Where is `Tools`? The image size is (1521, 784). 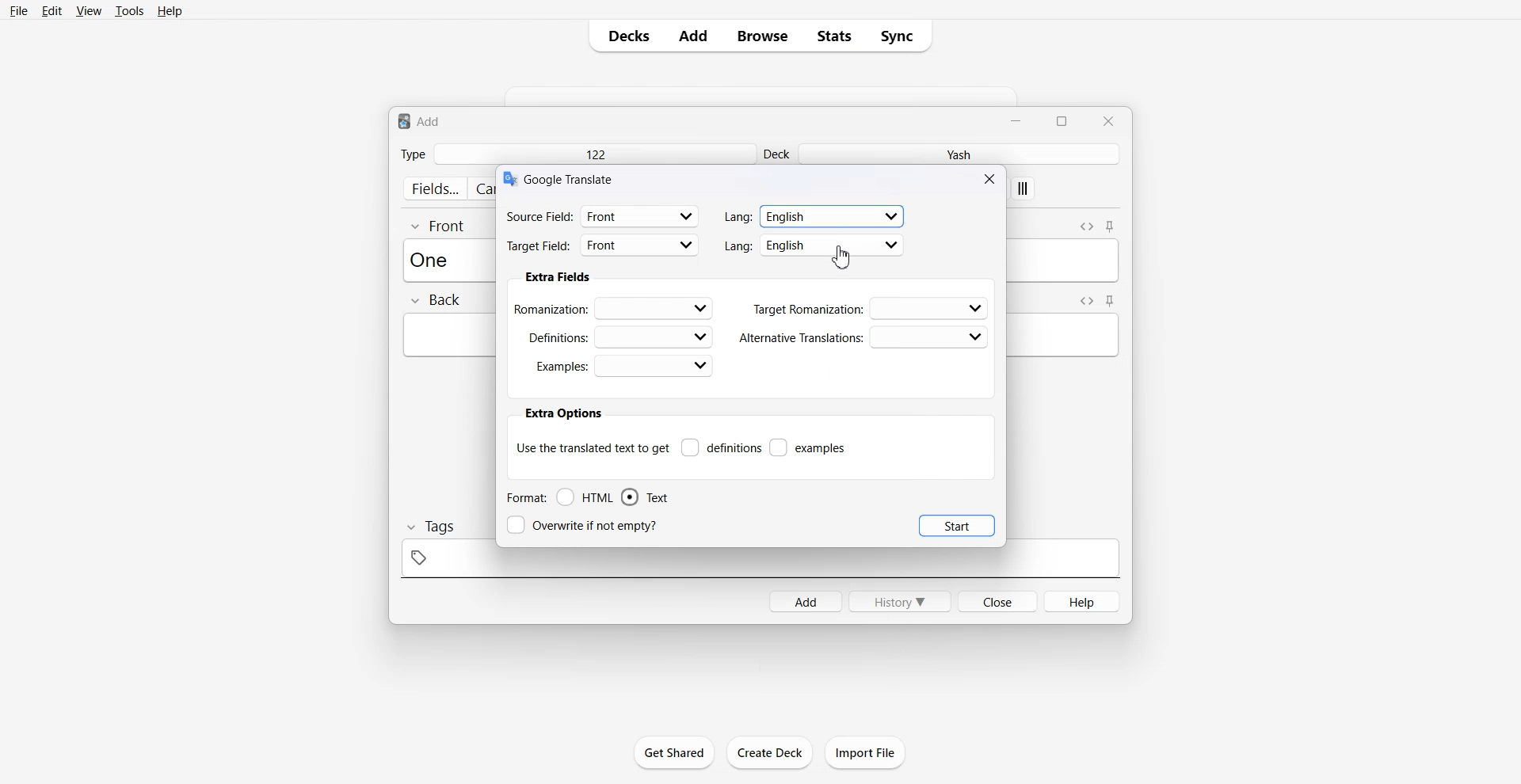 Tools is located at coordinates (129, 10).